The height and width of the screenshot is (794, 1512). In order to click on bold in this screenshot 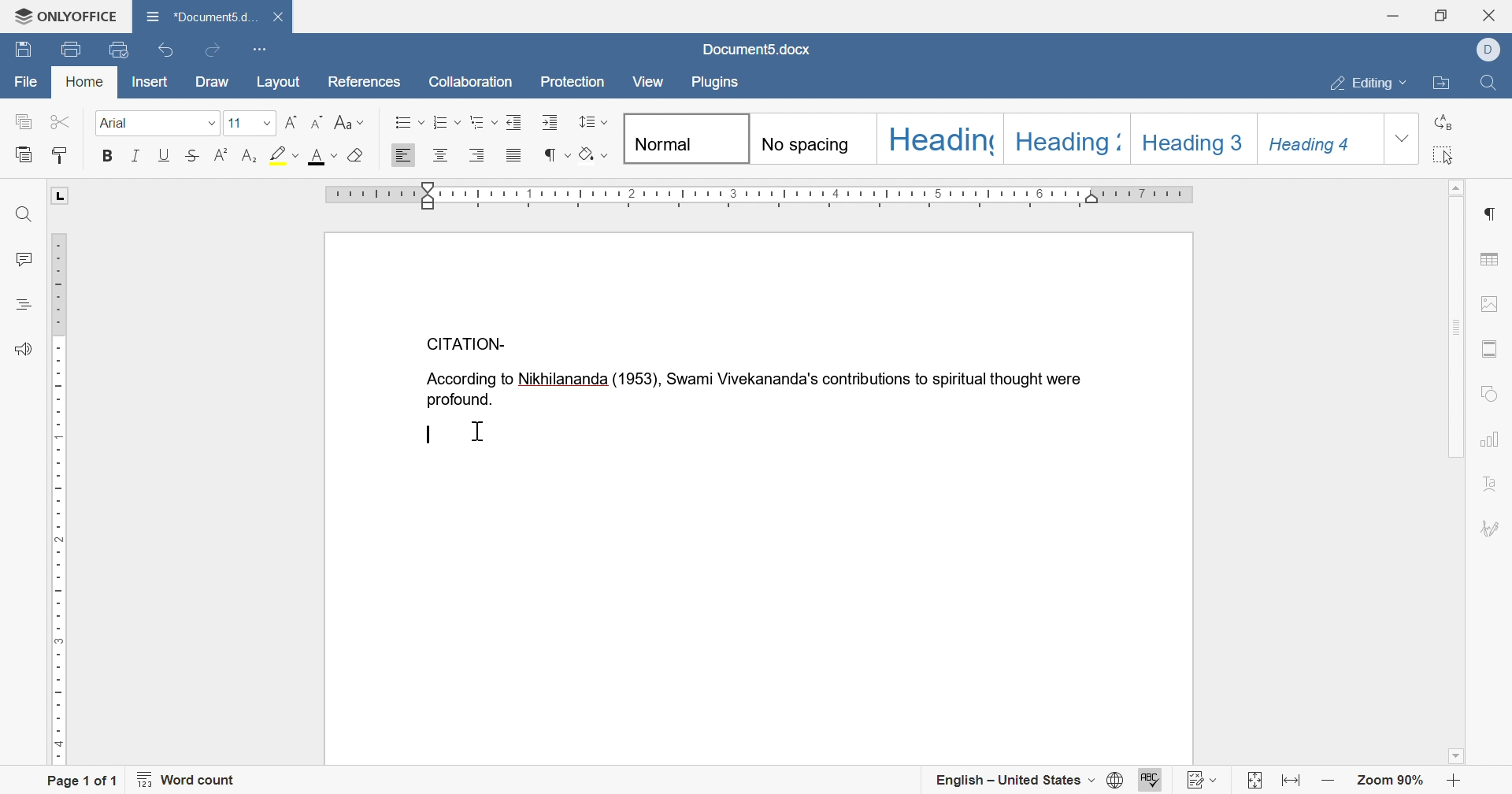, I will do `click(110, 155)`.